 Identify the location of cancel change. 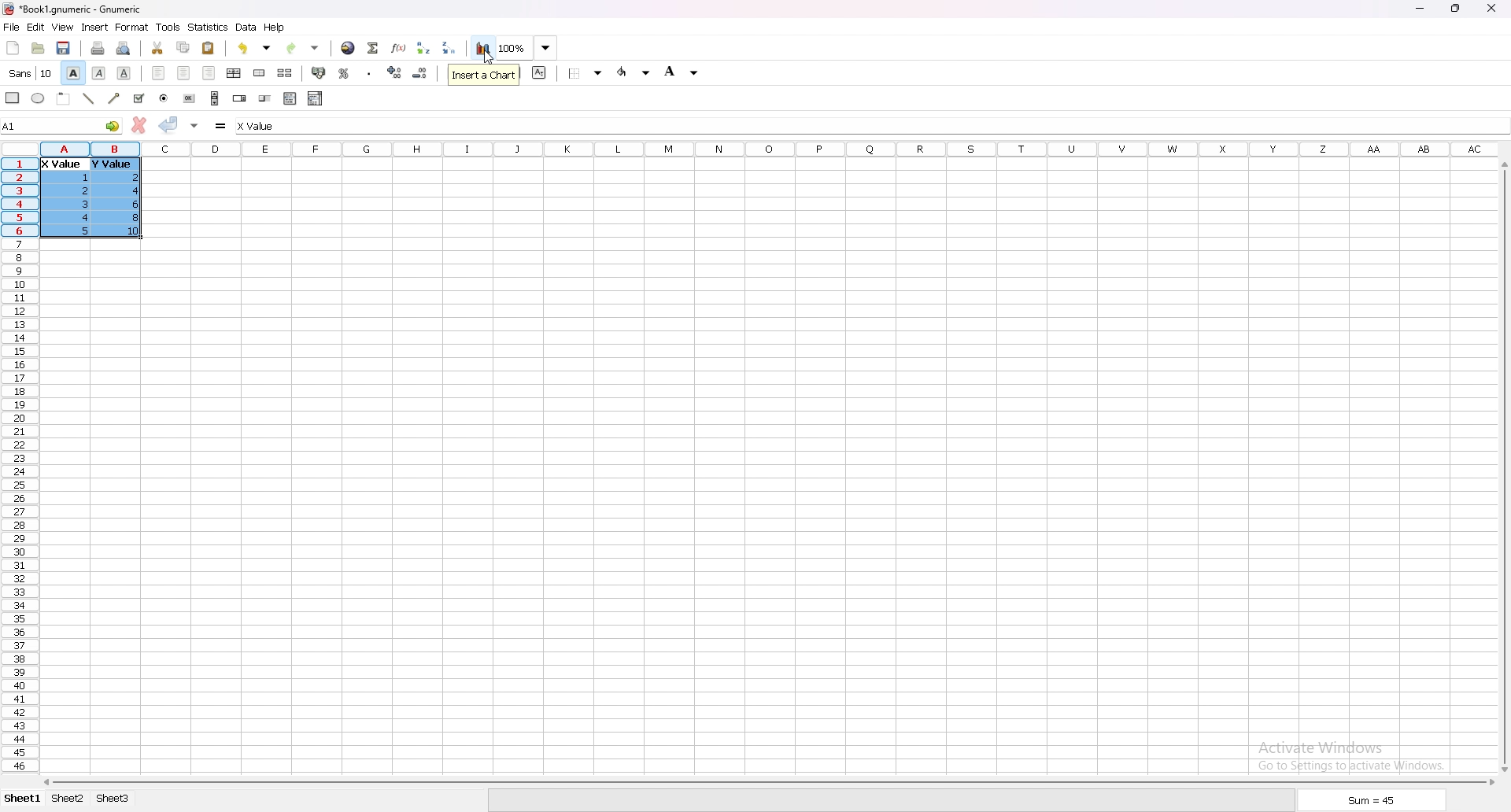
(140, 125).